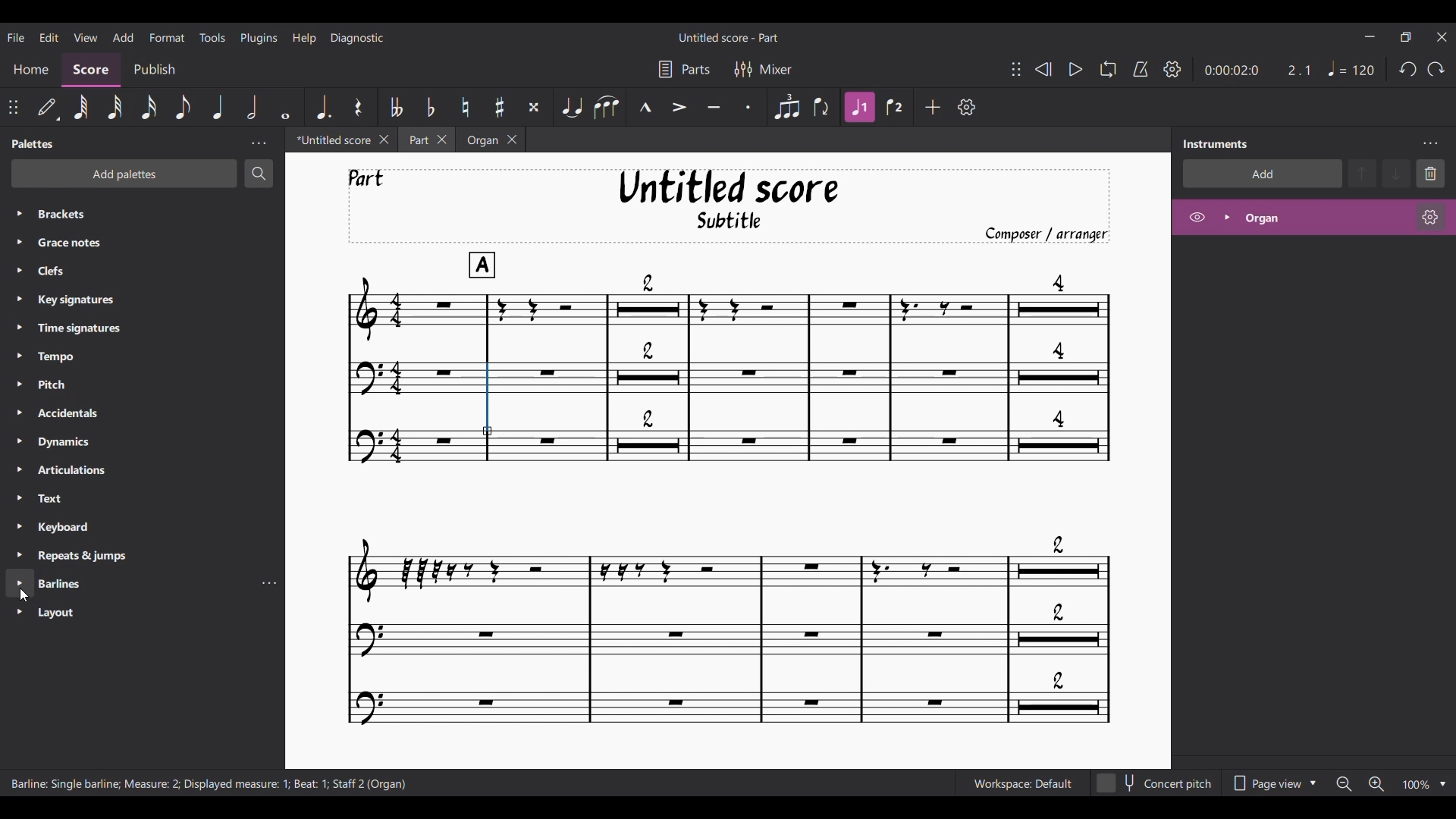 The image size is (1456, 819). Describe the element at coordinates (417, 140) in the screenshot. I see `Part tab` at that location.